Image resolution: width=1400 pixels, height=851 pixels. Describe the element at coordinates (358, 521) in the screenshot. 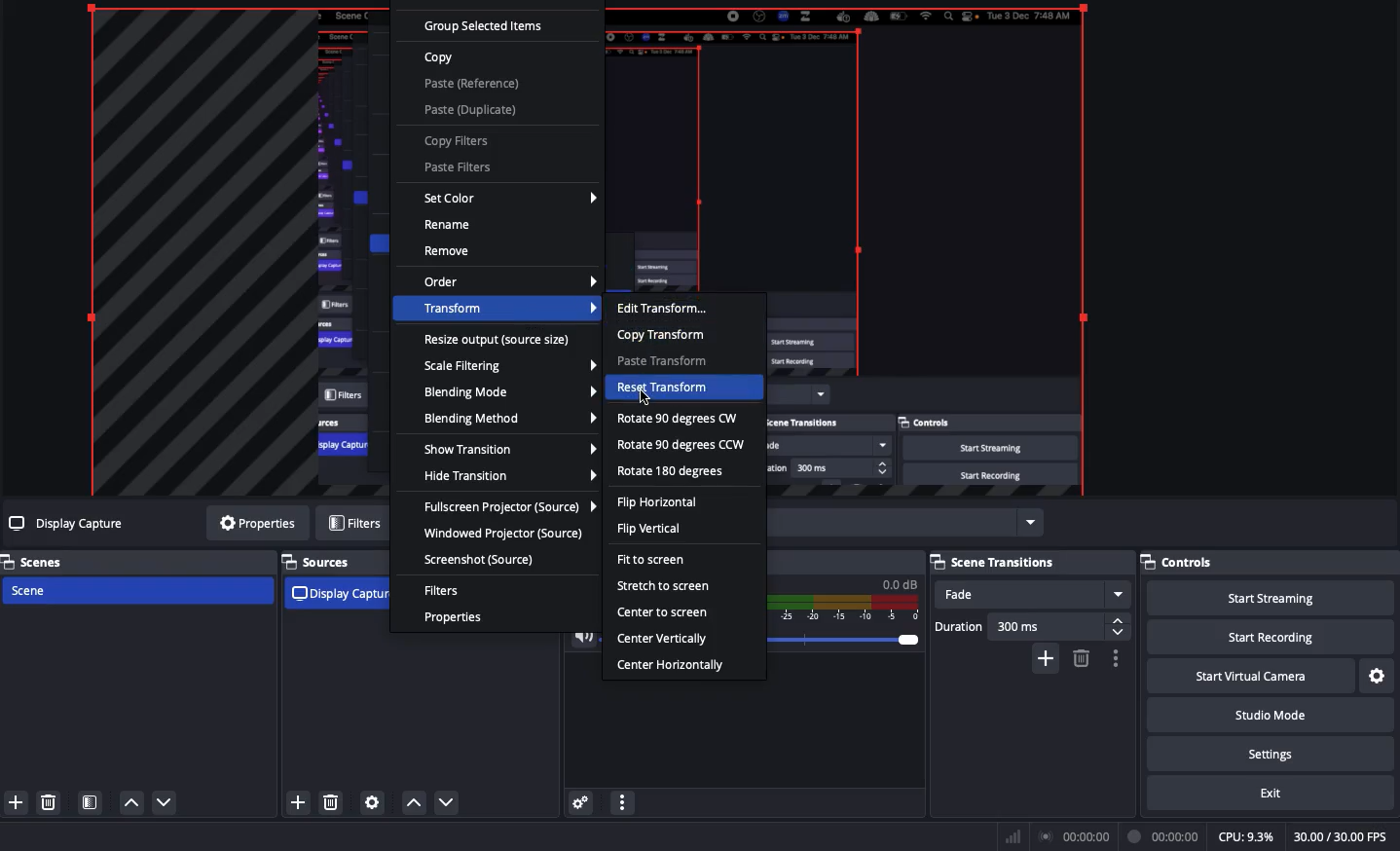

I see `Filters` at that location.